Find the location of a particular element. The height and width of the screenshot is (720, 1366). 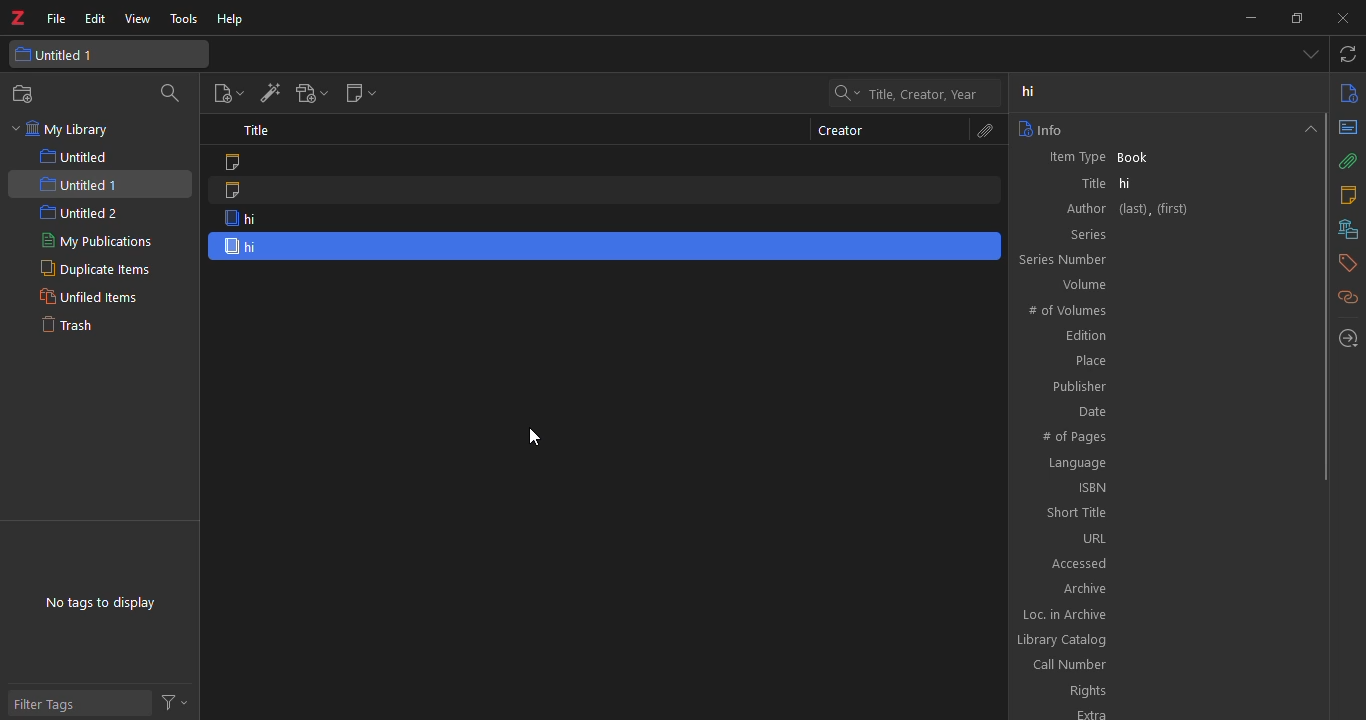

series number is located at coordinates (1065, 262).